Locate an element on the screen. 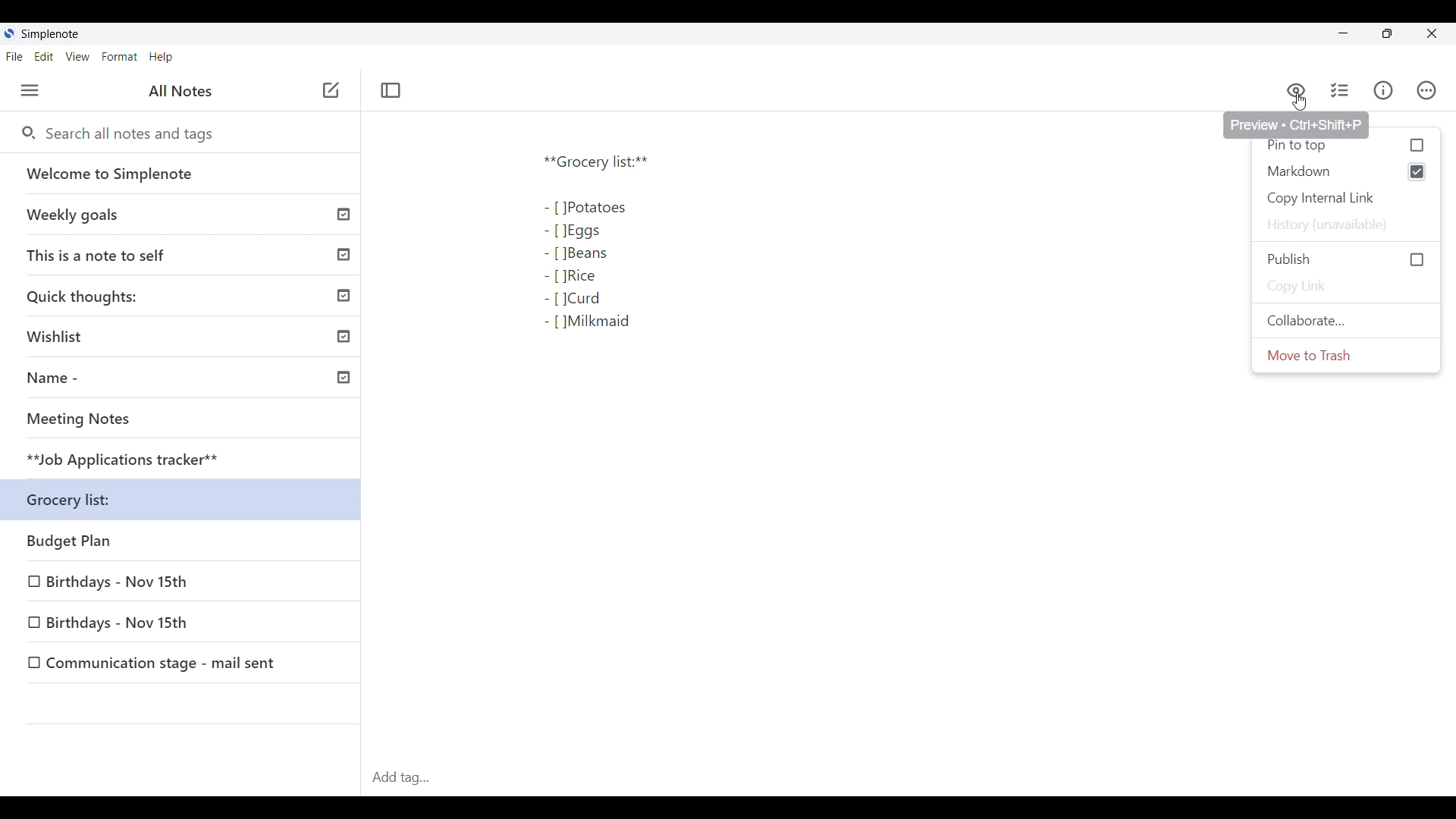 The width and height of the screenshot is (1456, 819). Budget Plan is located at coordinates (185, 543).